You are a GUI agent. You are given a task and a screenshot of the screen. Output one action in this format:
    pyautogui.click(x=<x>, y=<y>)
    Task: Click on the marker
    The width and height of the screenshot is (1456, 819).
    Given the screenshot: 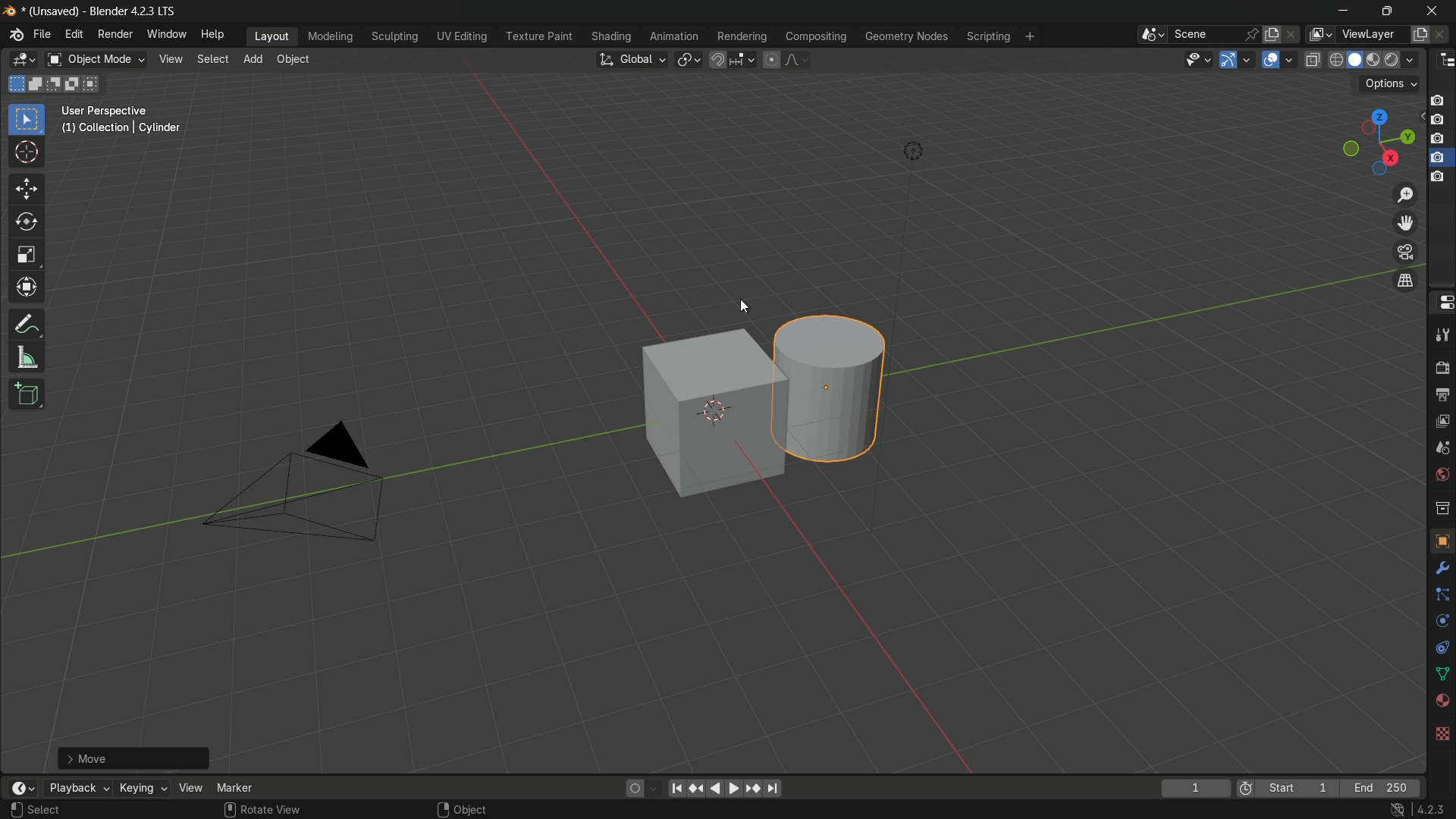 What is the action you would take?
    pyautogui.click(x=236, y=787)
    